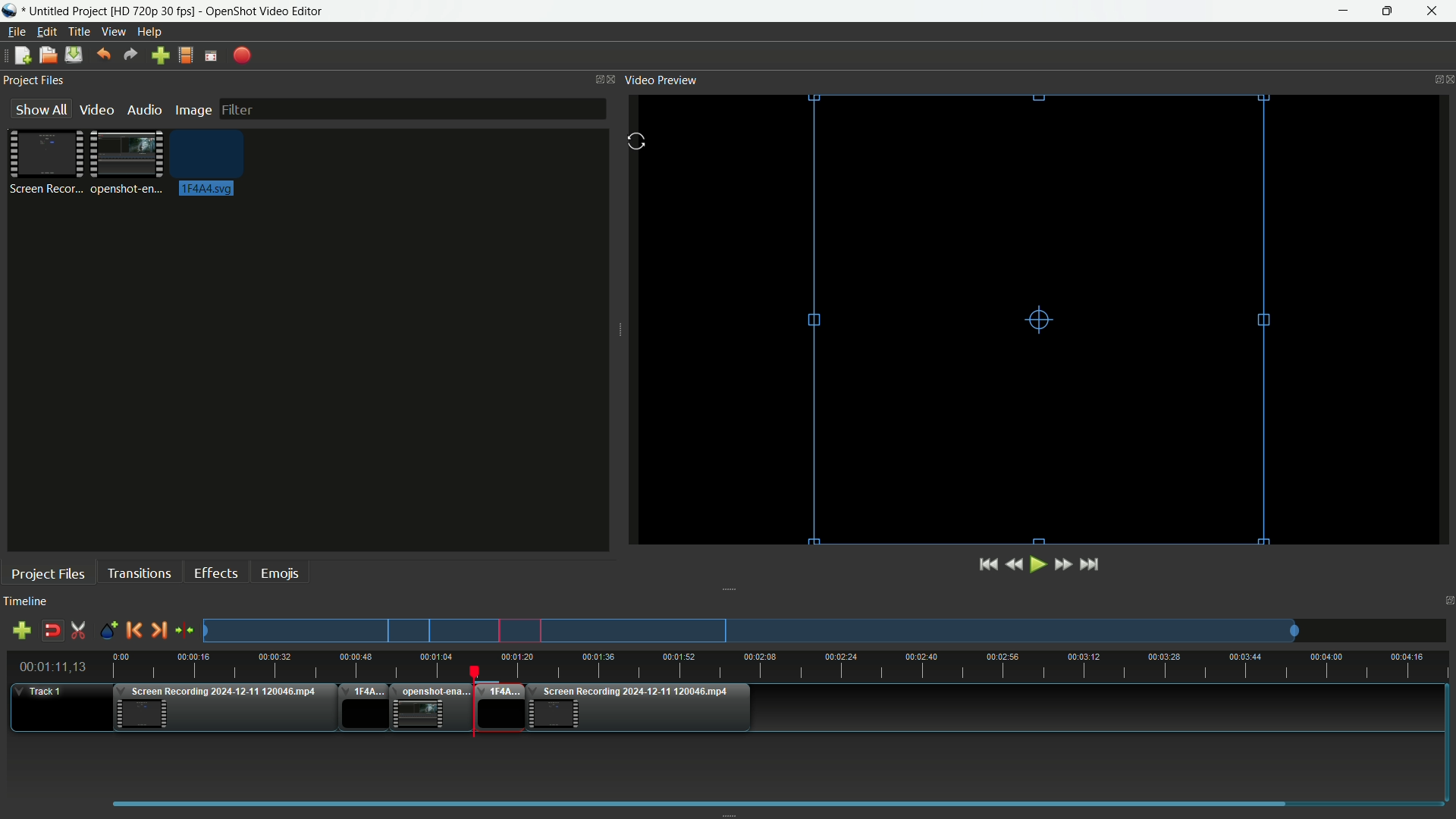  Describe the element at coordinates (67, 11) in the screenshot. I see `Project name` at that location.